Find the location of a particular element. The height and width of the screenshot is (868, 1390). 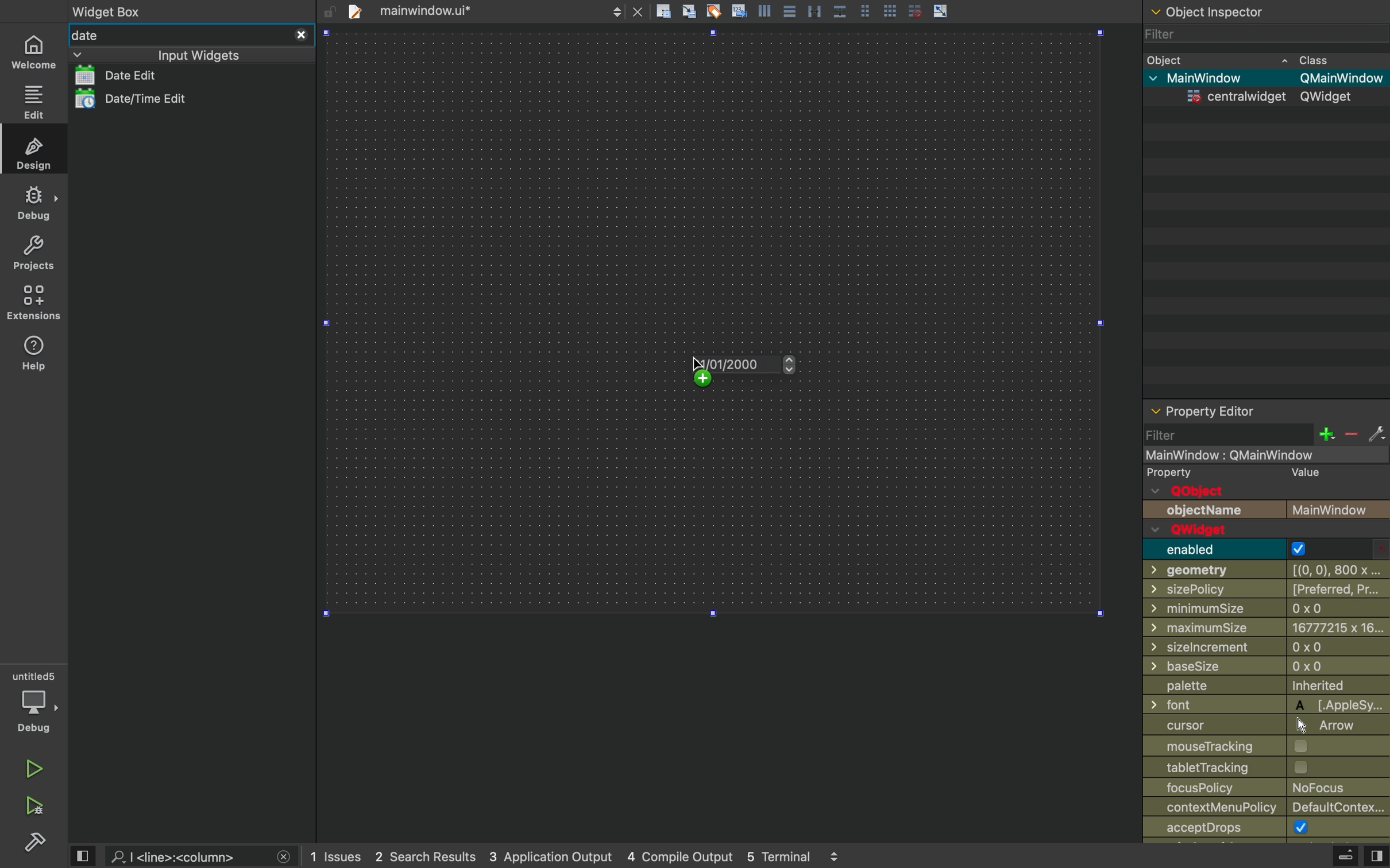

tagging is located at coordinates (713, 10).